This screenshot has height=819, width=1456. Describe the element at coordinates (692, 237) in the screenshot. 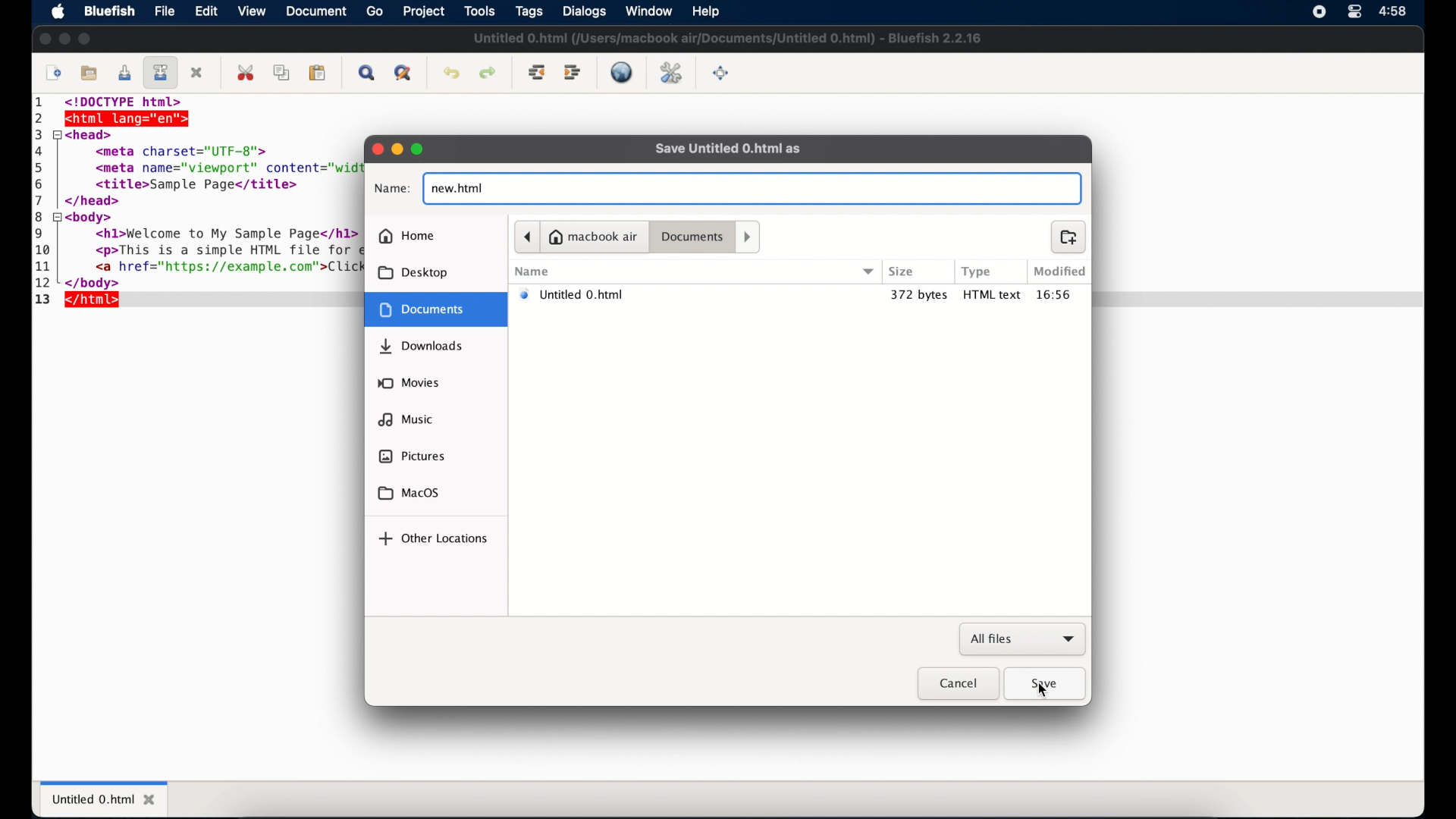

I see `documents` at that location.